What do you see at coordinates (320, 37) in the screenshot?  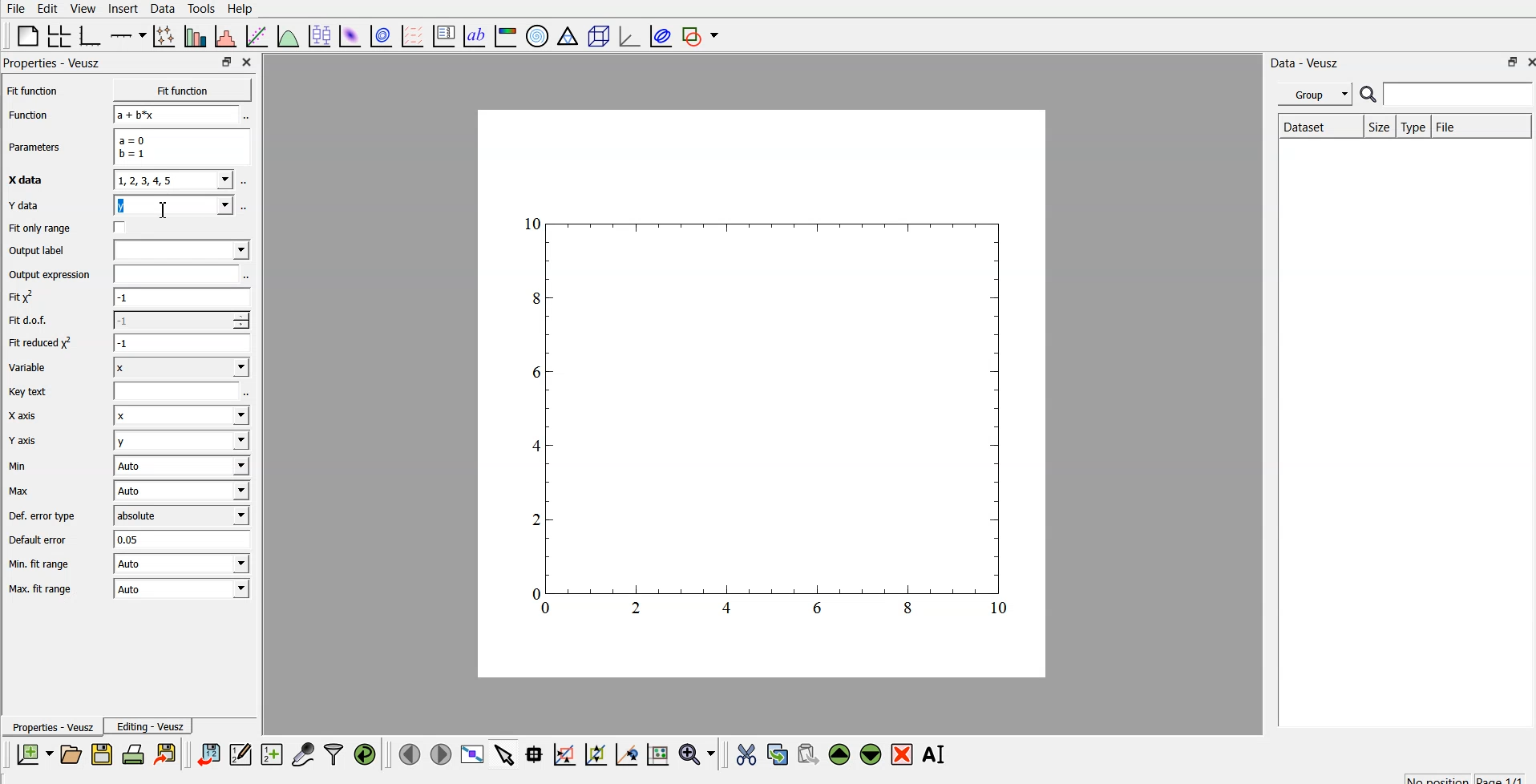 I see `plot box plots` at bounding box center [320, 37].